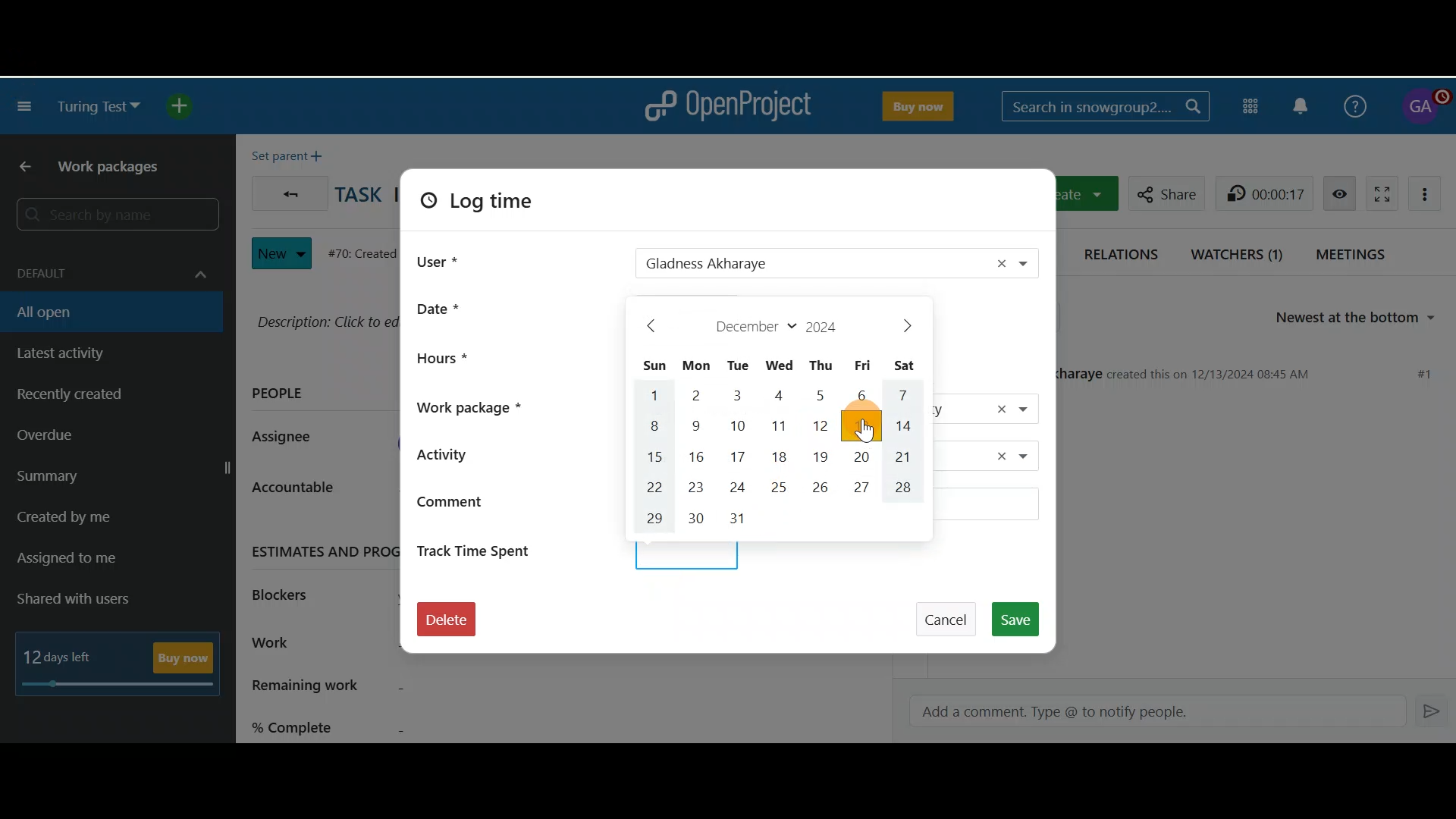 The width and height of the screenshot is (1456, 819). Describe the element at coordinates (1033, 265) in the screenshot. I see `User drop down` at that location.